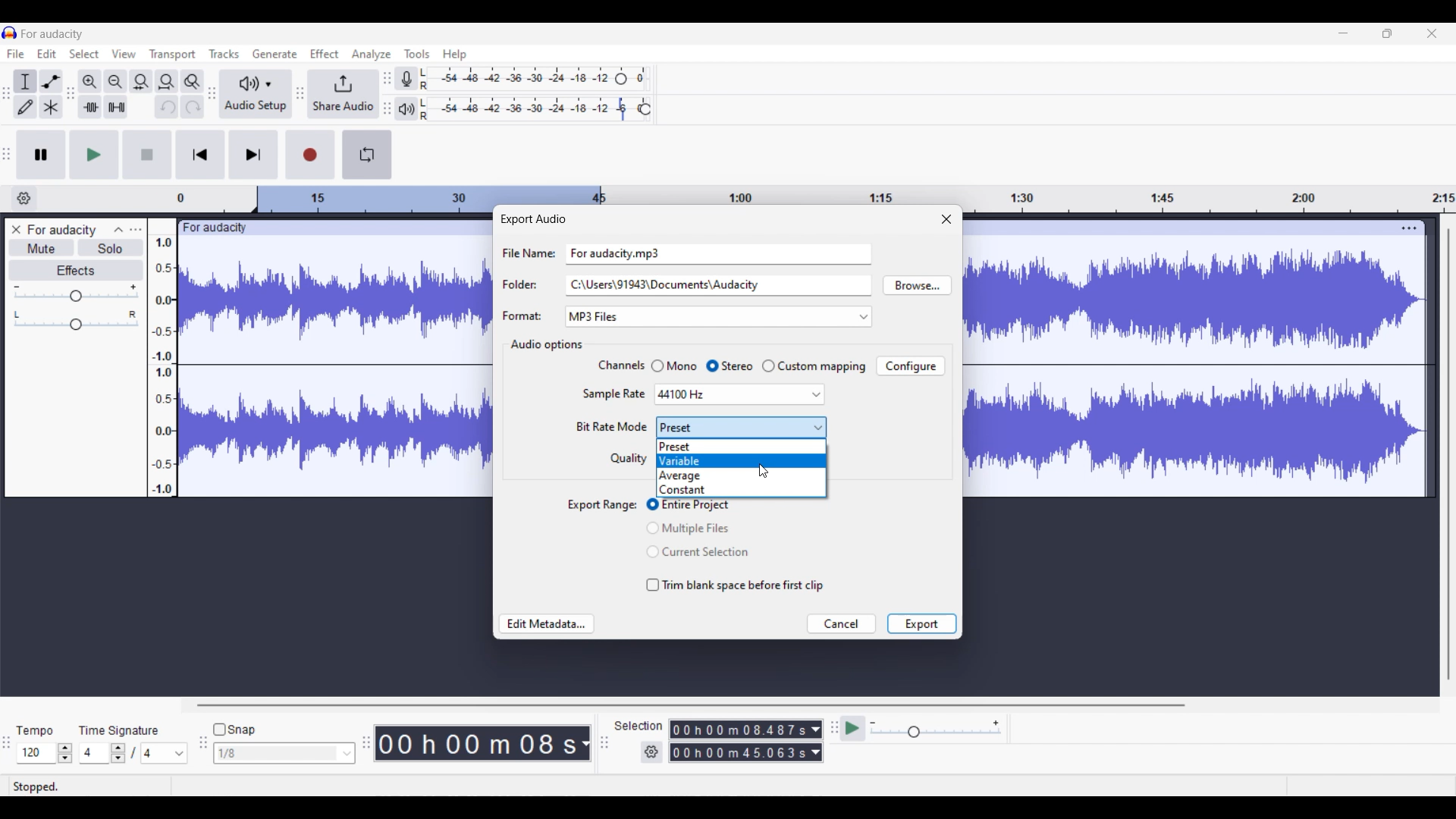 This screenshot has height=819, width=1456. What do you see at coordinates (46, 54) in the screenshot?
I see `Edit menu` at bounding box center [46, 54].